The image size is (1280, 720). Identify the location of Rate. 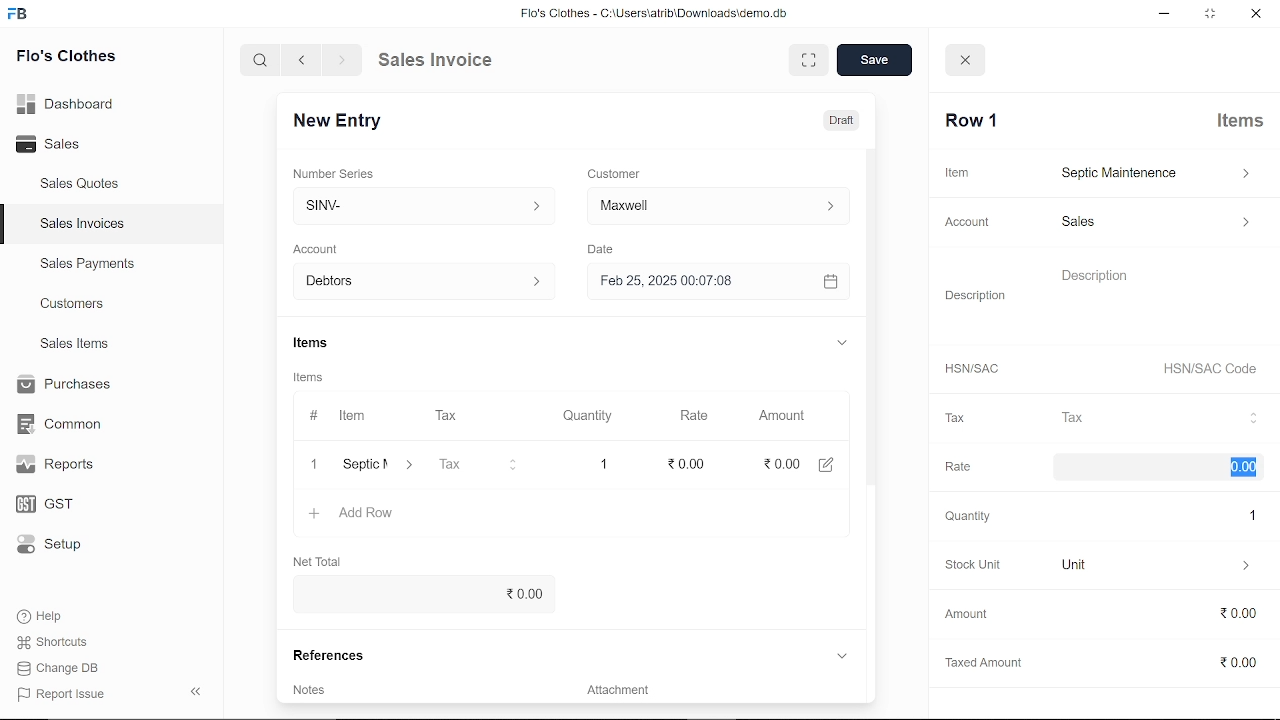
(701, 415).